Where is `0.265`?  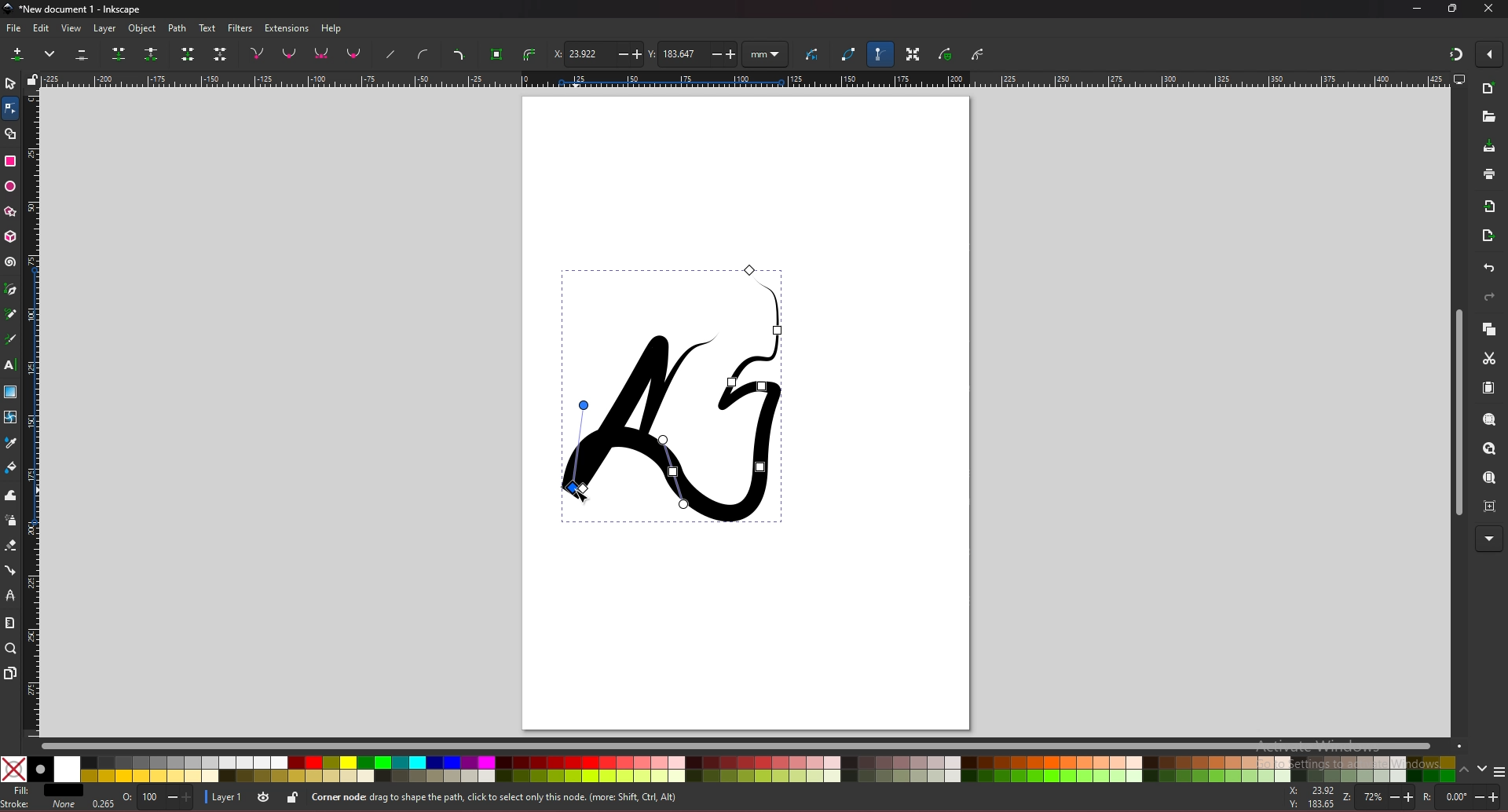 0.265 is located at coordinates (103, 802).